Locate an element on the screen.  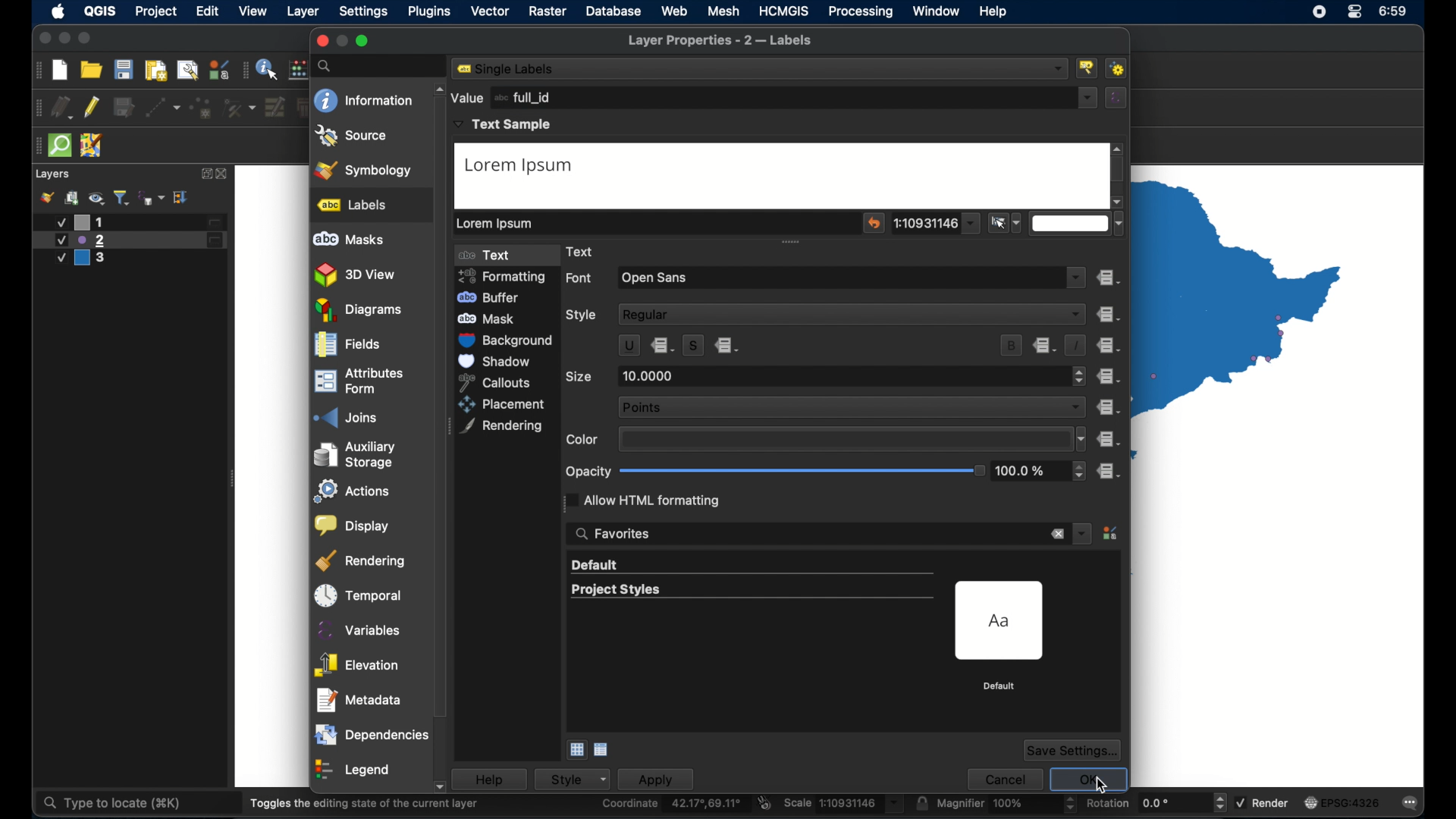
processing is located at coordinates (860, 11).